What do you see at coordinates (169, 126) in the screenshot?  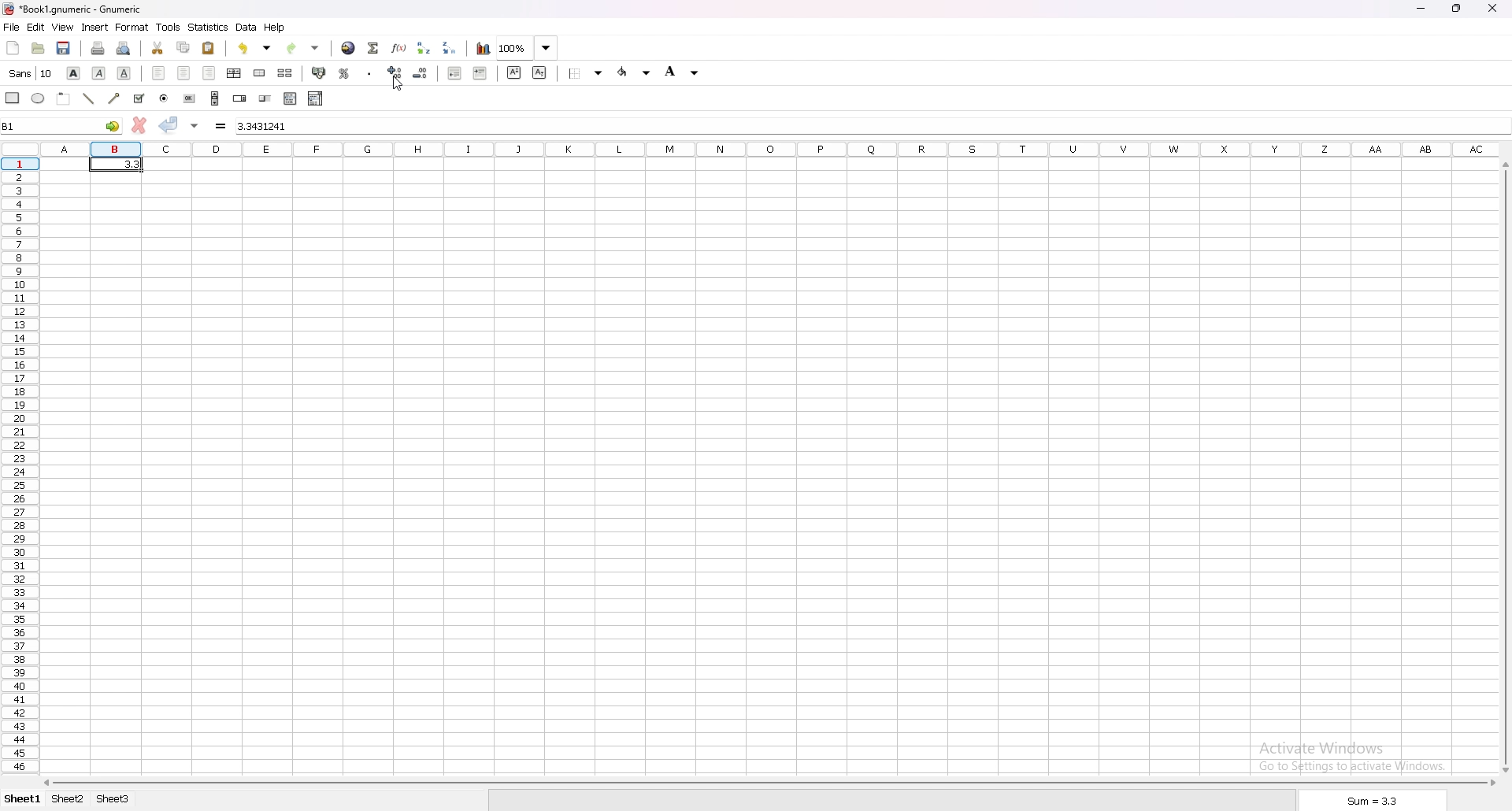 I see `accept changes` at bounding box center [169, 126].